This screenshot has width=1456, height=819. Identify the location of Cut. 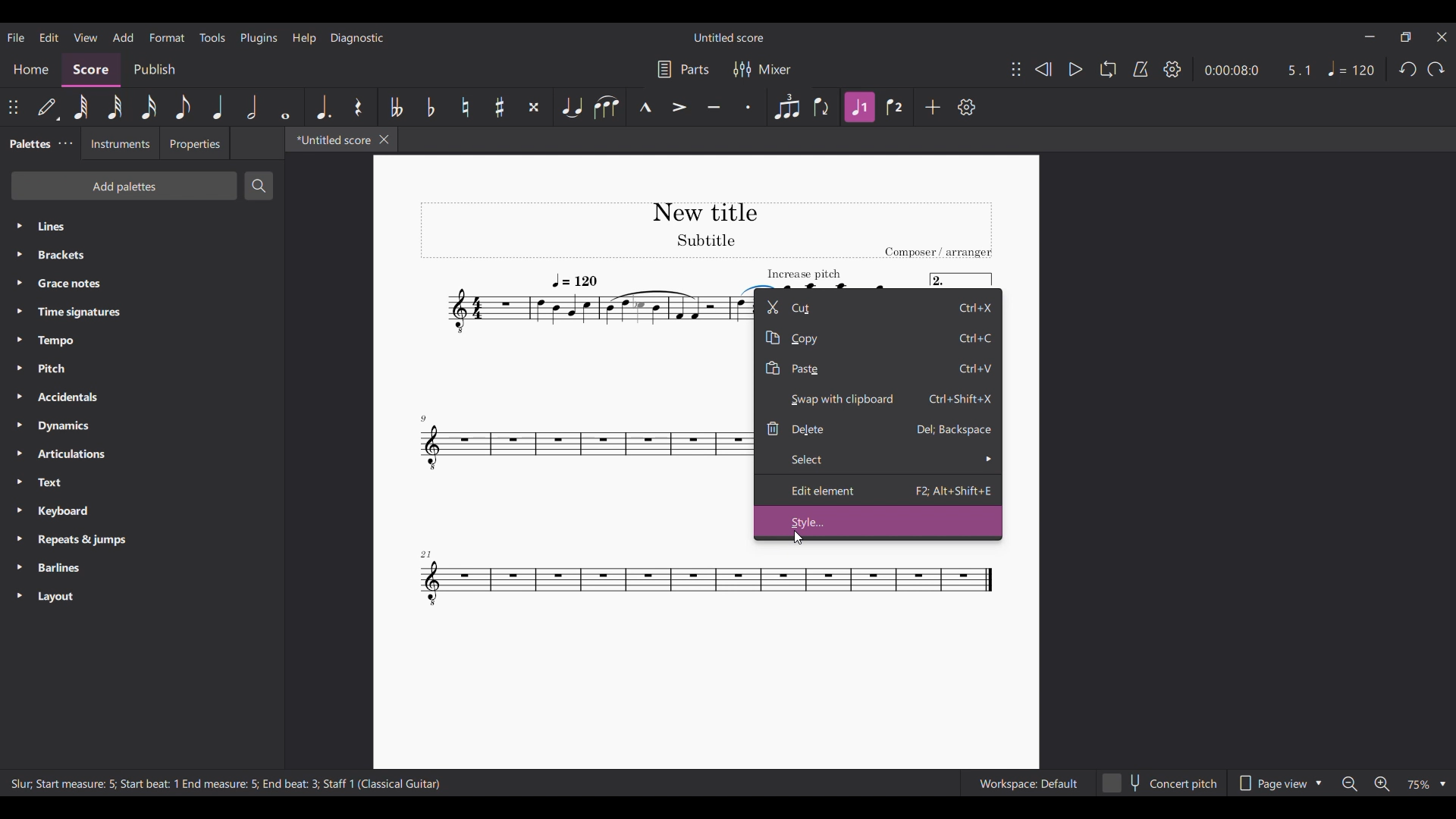
(879, 306).